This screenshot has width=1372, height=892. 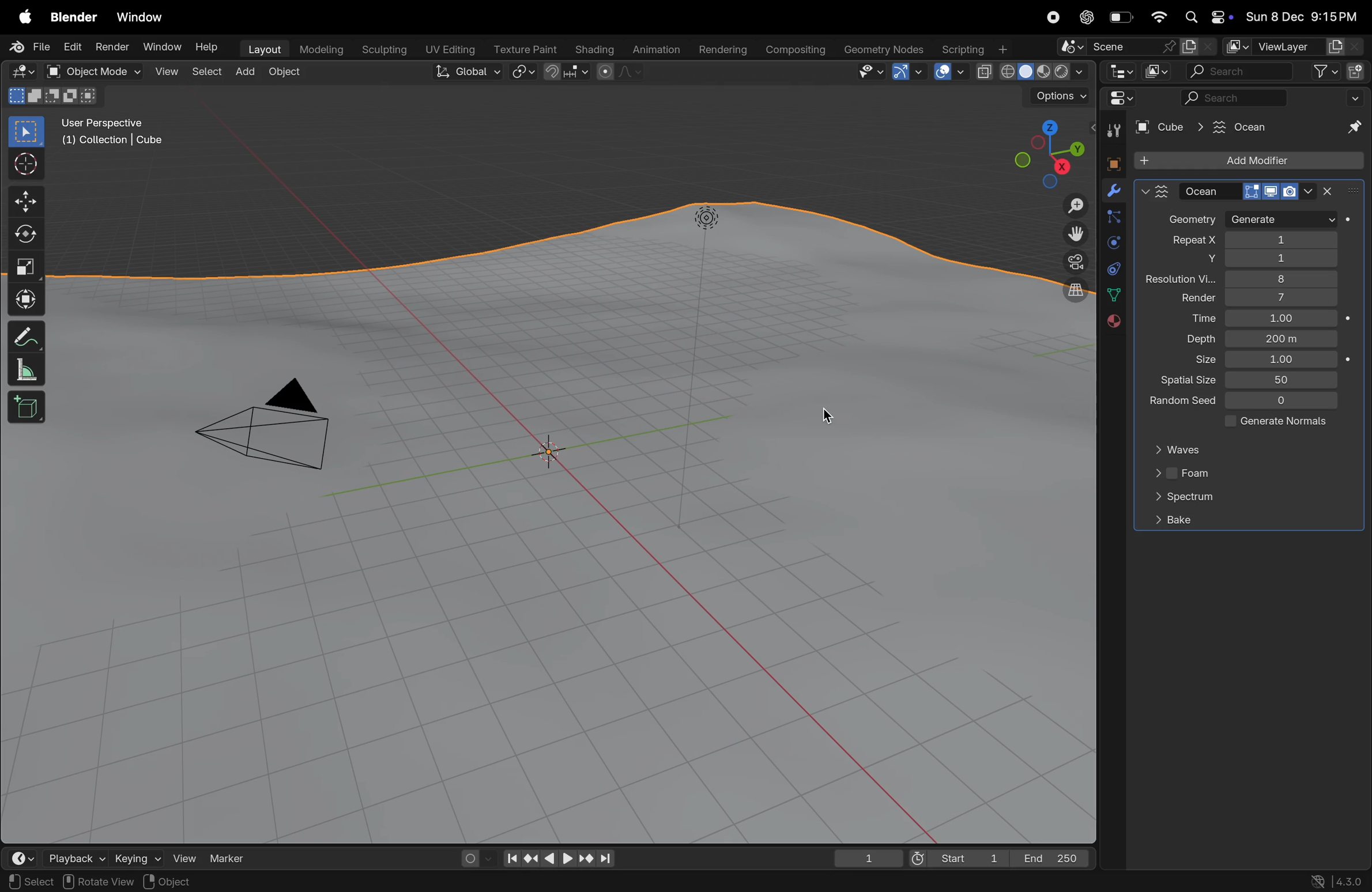 What do you see at coordinates (1197, 361) in the screenshot?
I see `size` at bounding box center [1197, 361].